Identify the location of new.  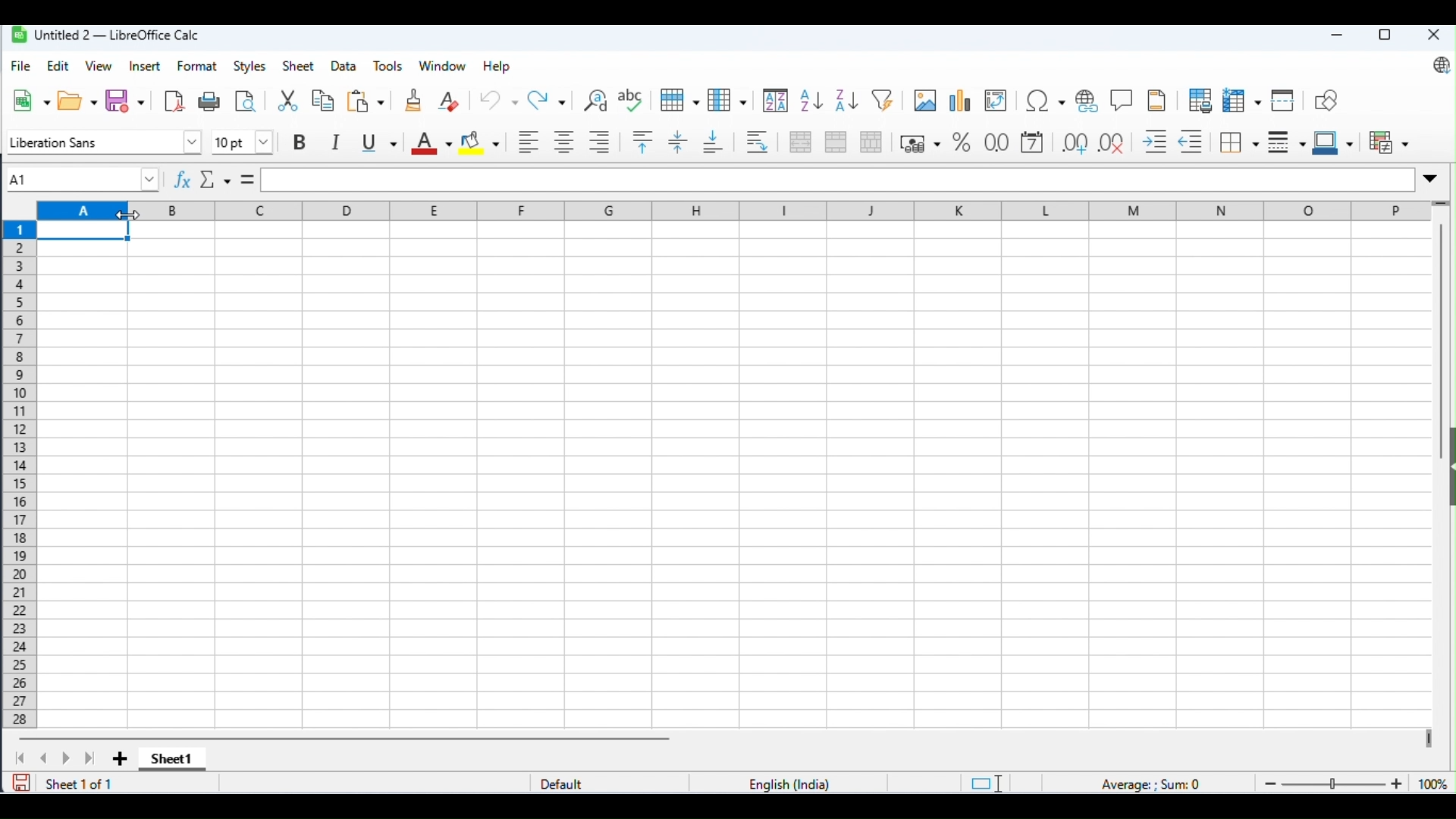
(32, 100).